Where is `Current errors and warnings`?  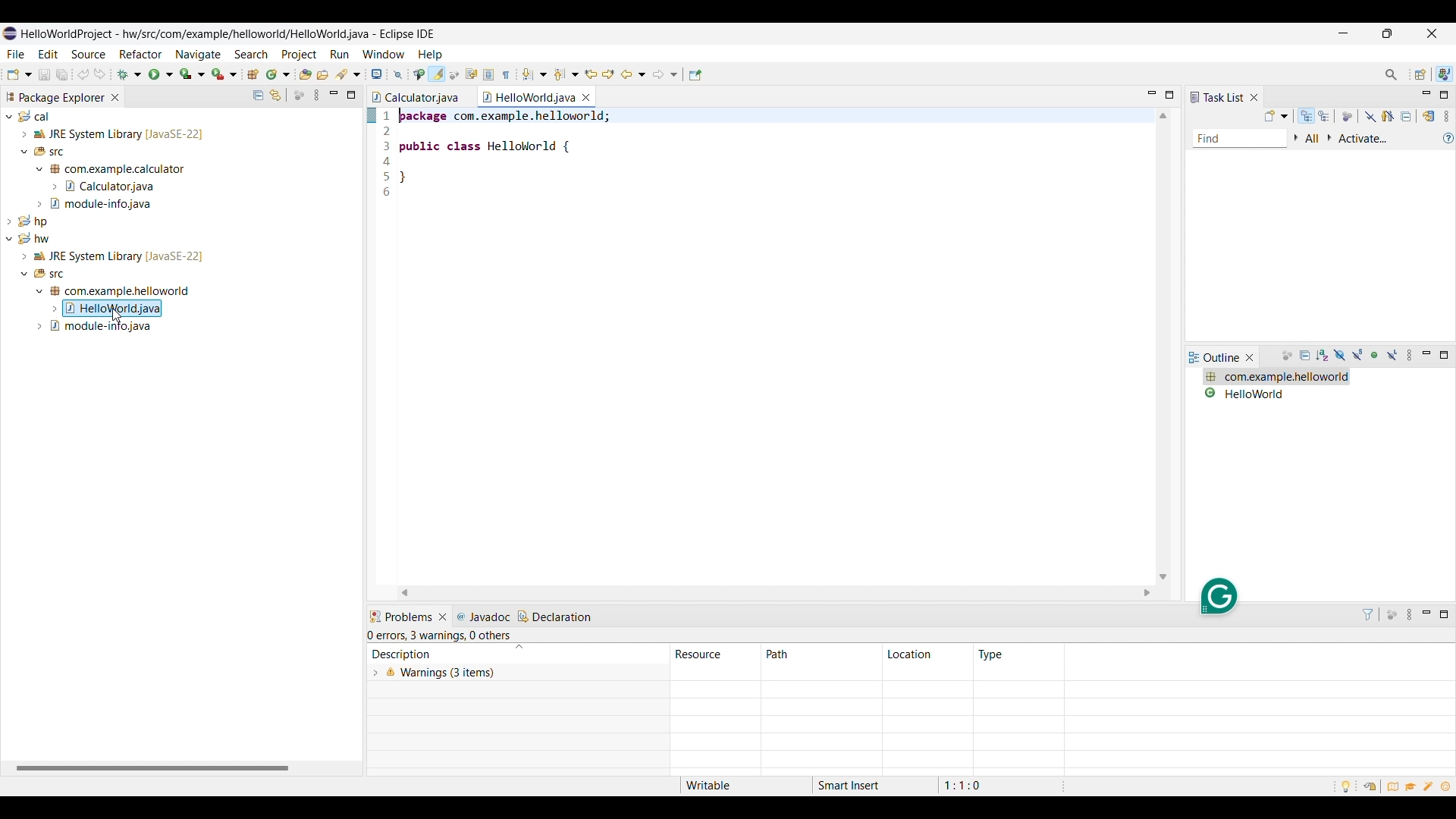 Current errors and warnings is located at coordinates (442, 636).